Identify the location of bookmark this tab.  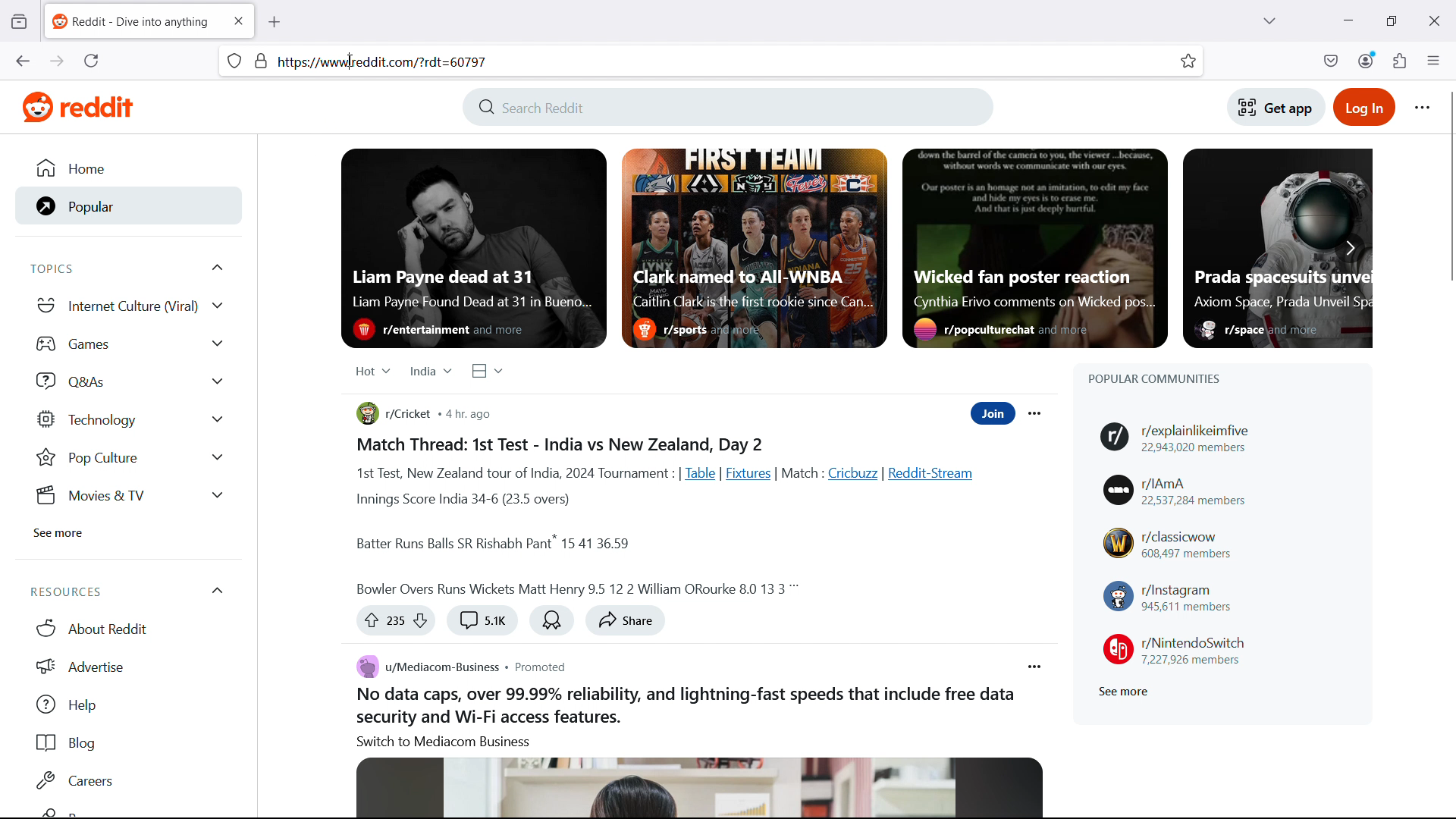
(1188, 61).